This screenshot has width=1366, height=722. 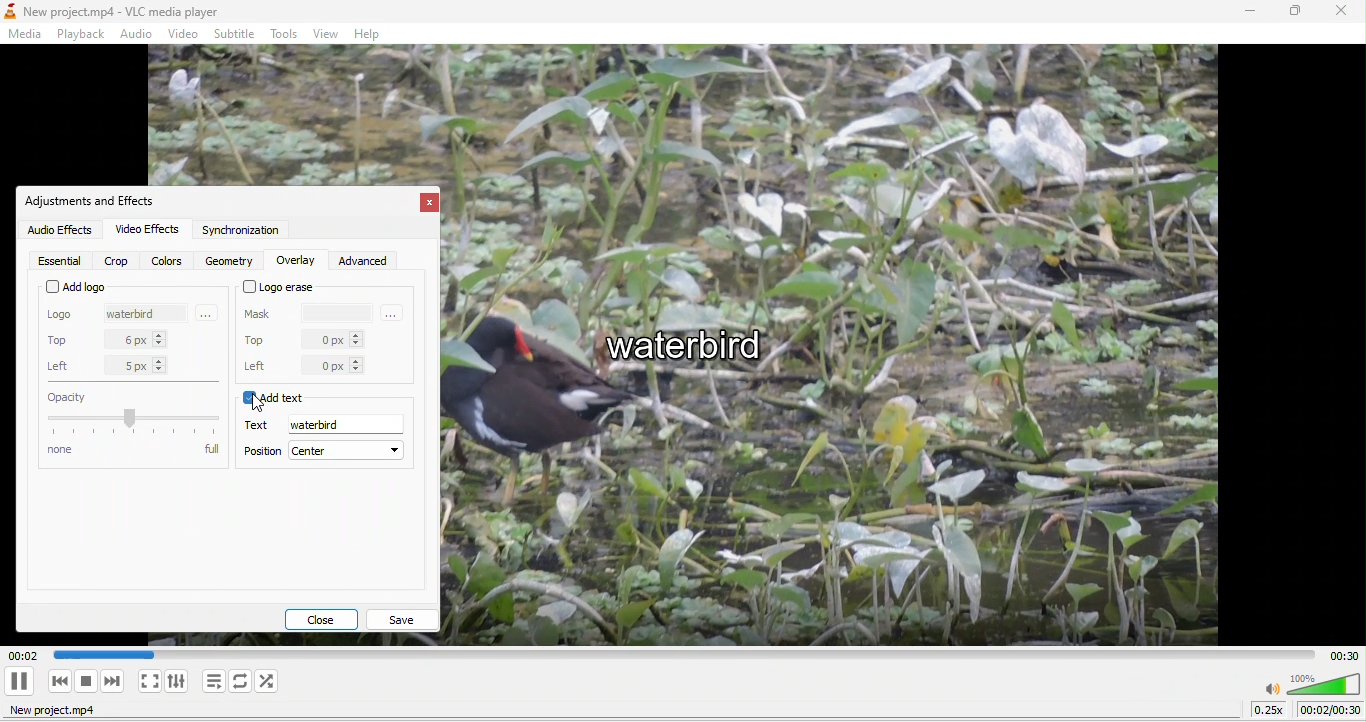 What do you see at coordinates (347, 423) in the screenshot?
I see `waterbird` at bounding box center [347, 423].